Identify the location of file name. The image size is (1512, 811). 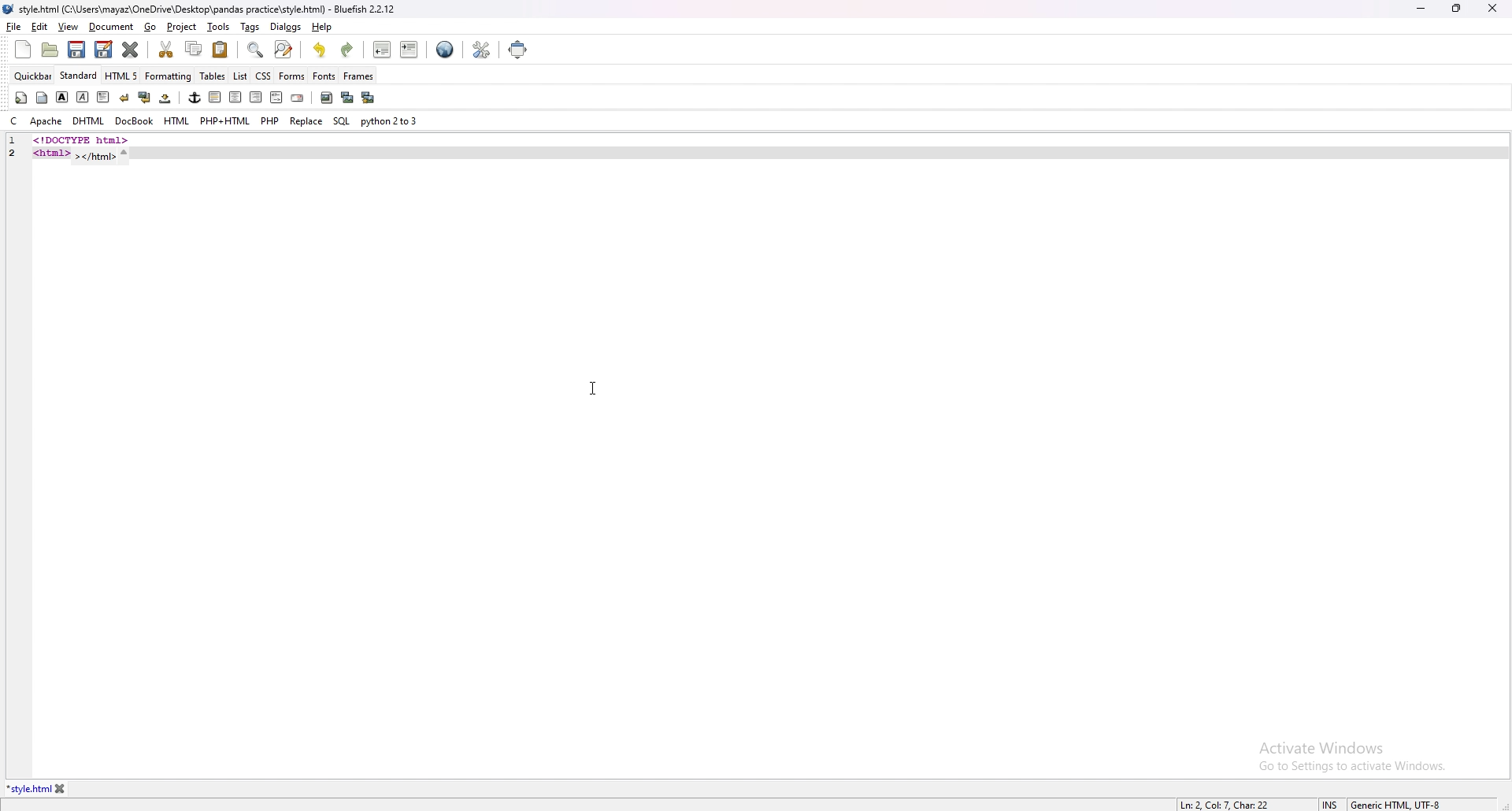
(202, 10).